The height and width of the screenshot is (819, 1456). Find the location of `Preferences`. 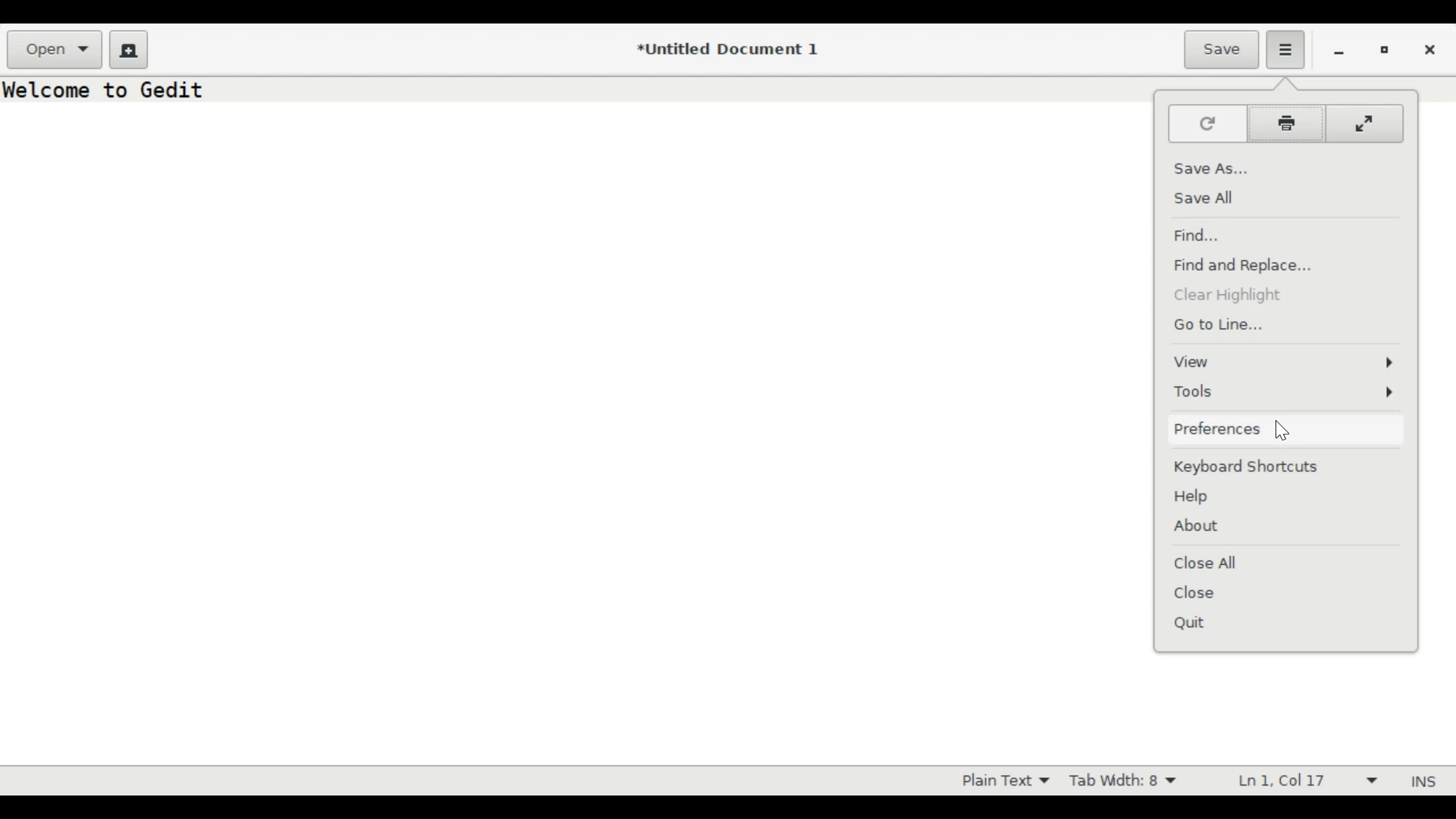

Preferences is located at coordinates (1216, 428).